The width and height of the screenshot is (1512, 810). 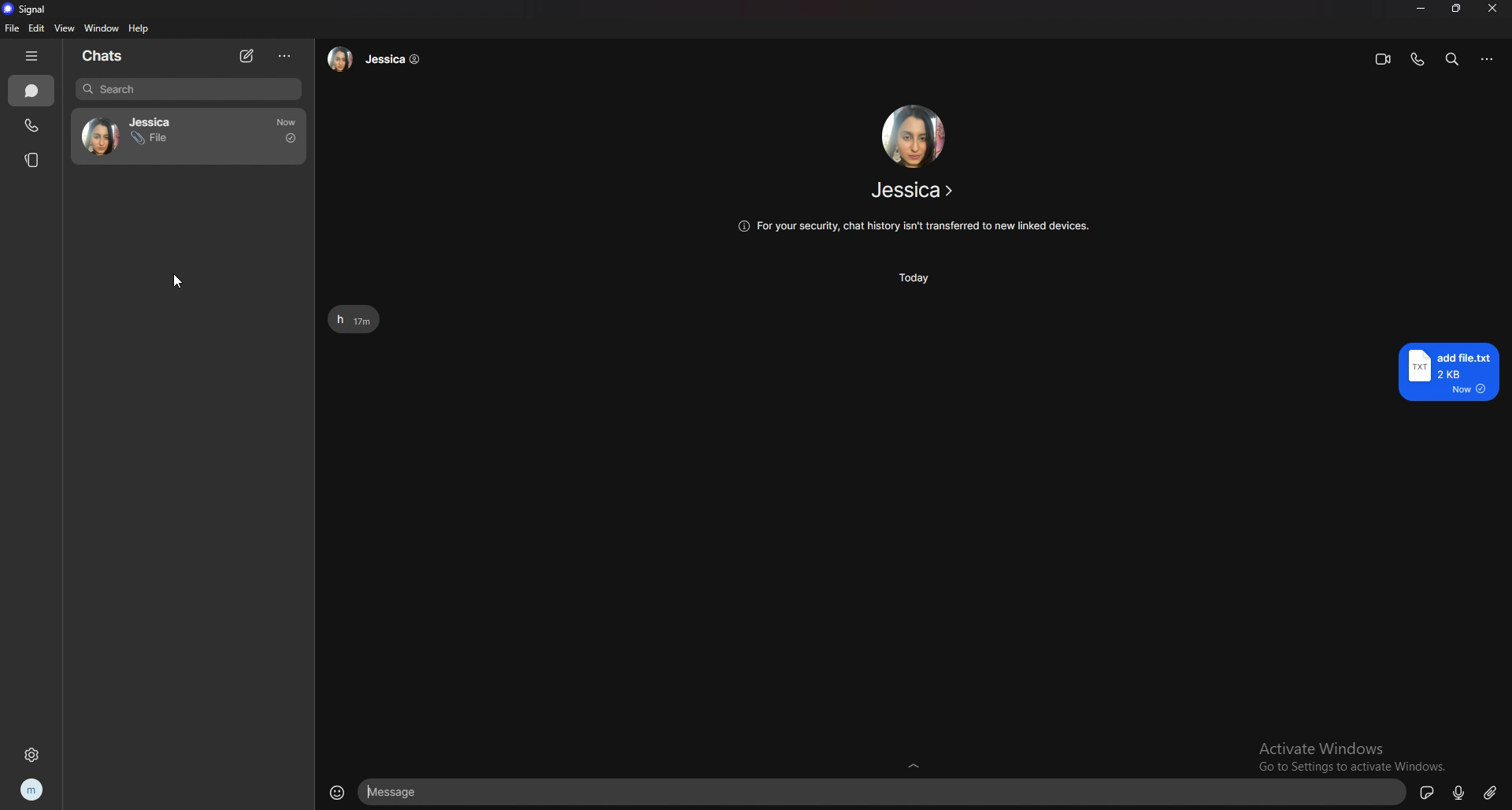 I want to click on hide tab, so click(x=31, y=56).